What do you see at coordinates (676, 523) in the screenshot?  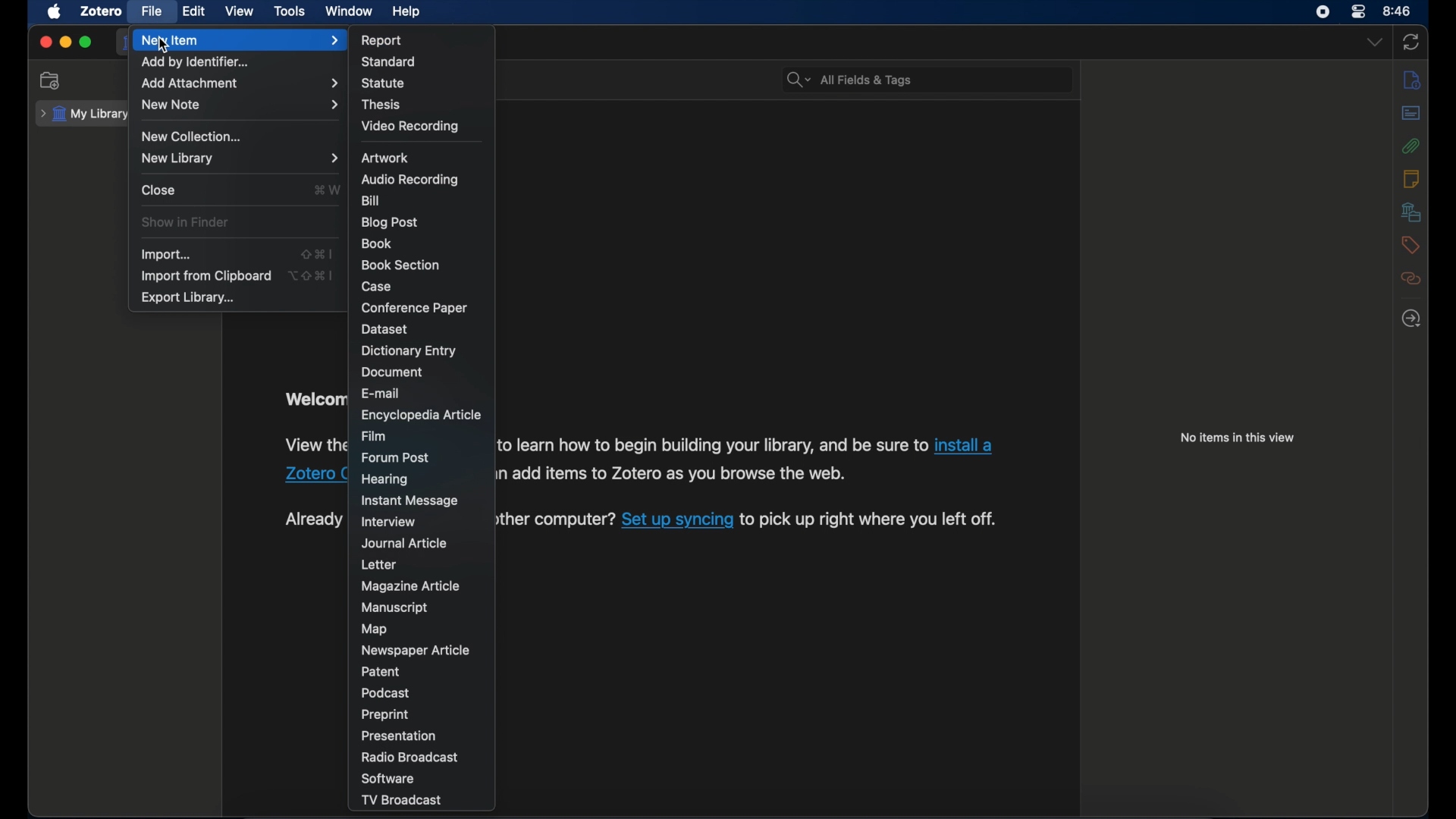 I see `sync link` at bounding box center [676, 523].